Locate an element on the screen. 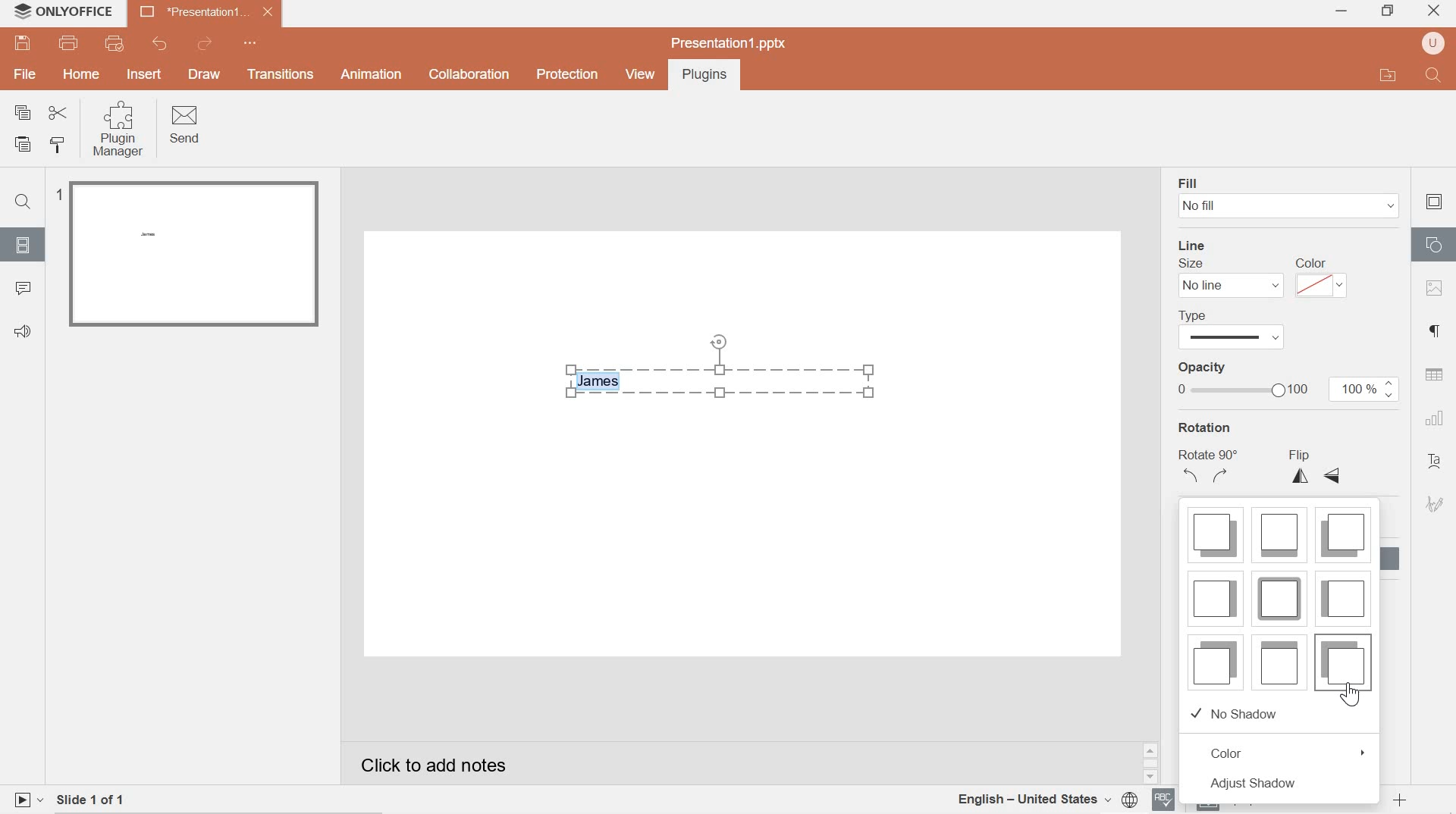  system name is located at coordinates (81, 11).